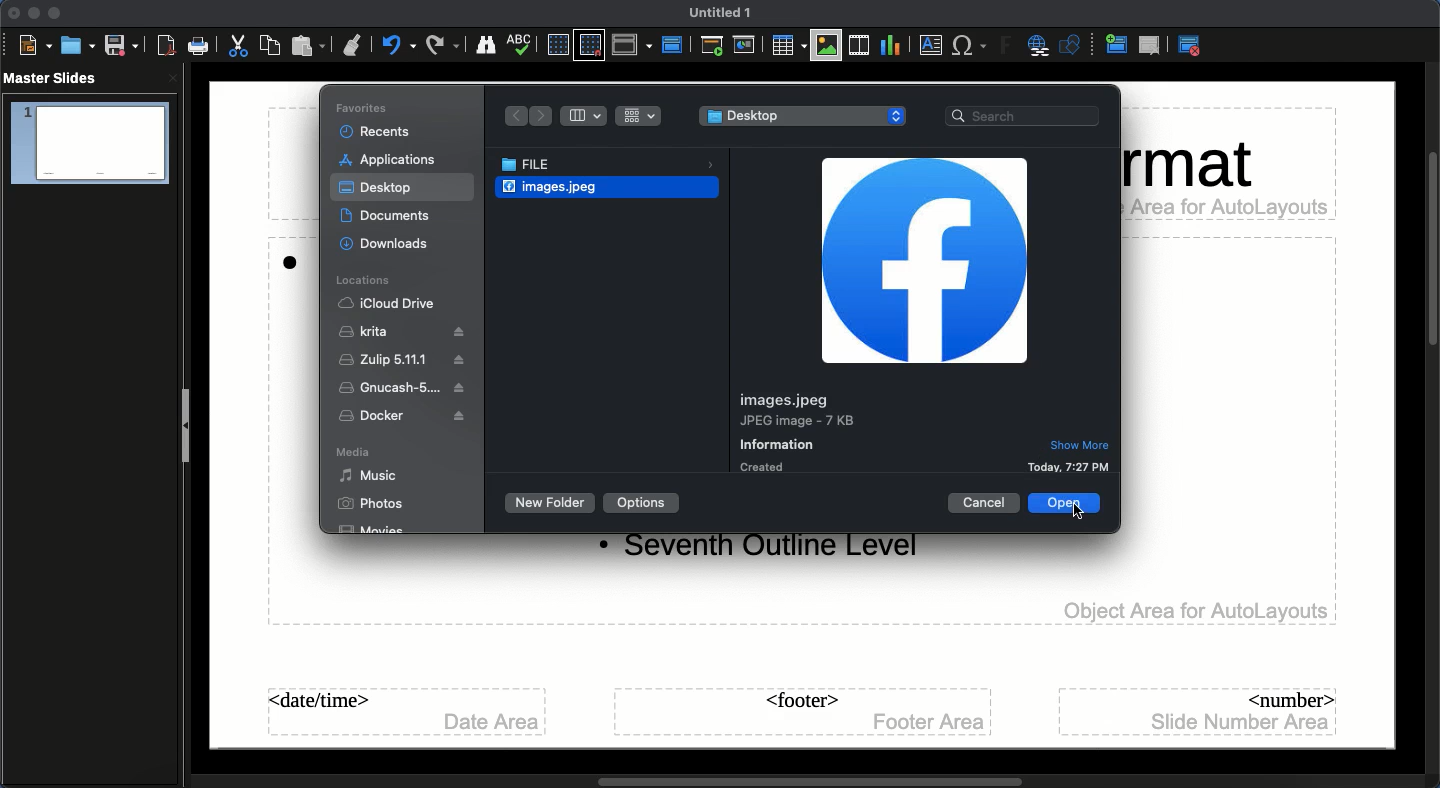  I want to click on Master slide date, so click(408, 710).